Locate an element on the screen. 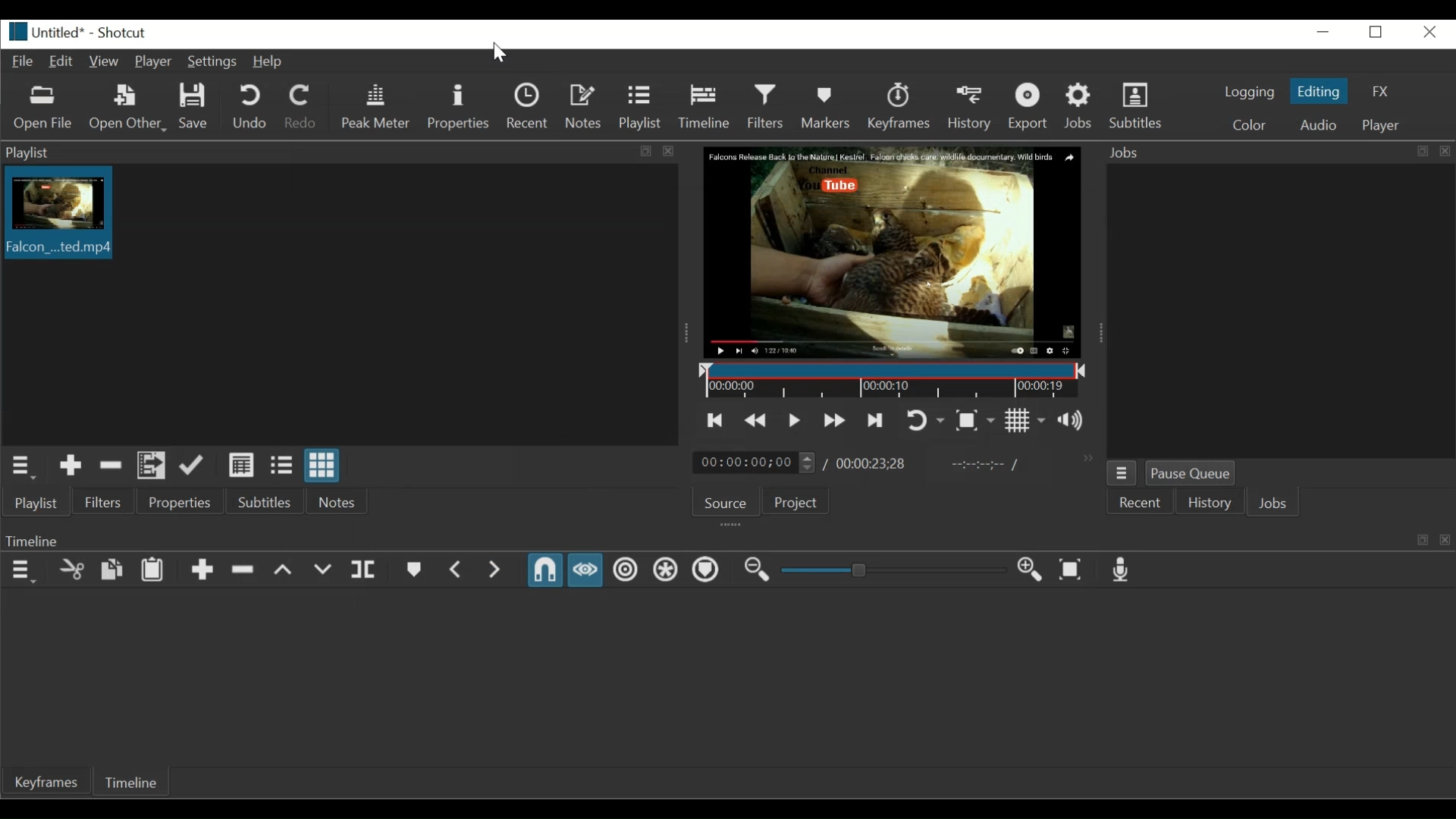 The width and height of the screenshot is (1456, 819). Timeline is located at coordinates (704, 107).